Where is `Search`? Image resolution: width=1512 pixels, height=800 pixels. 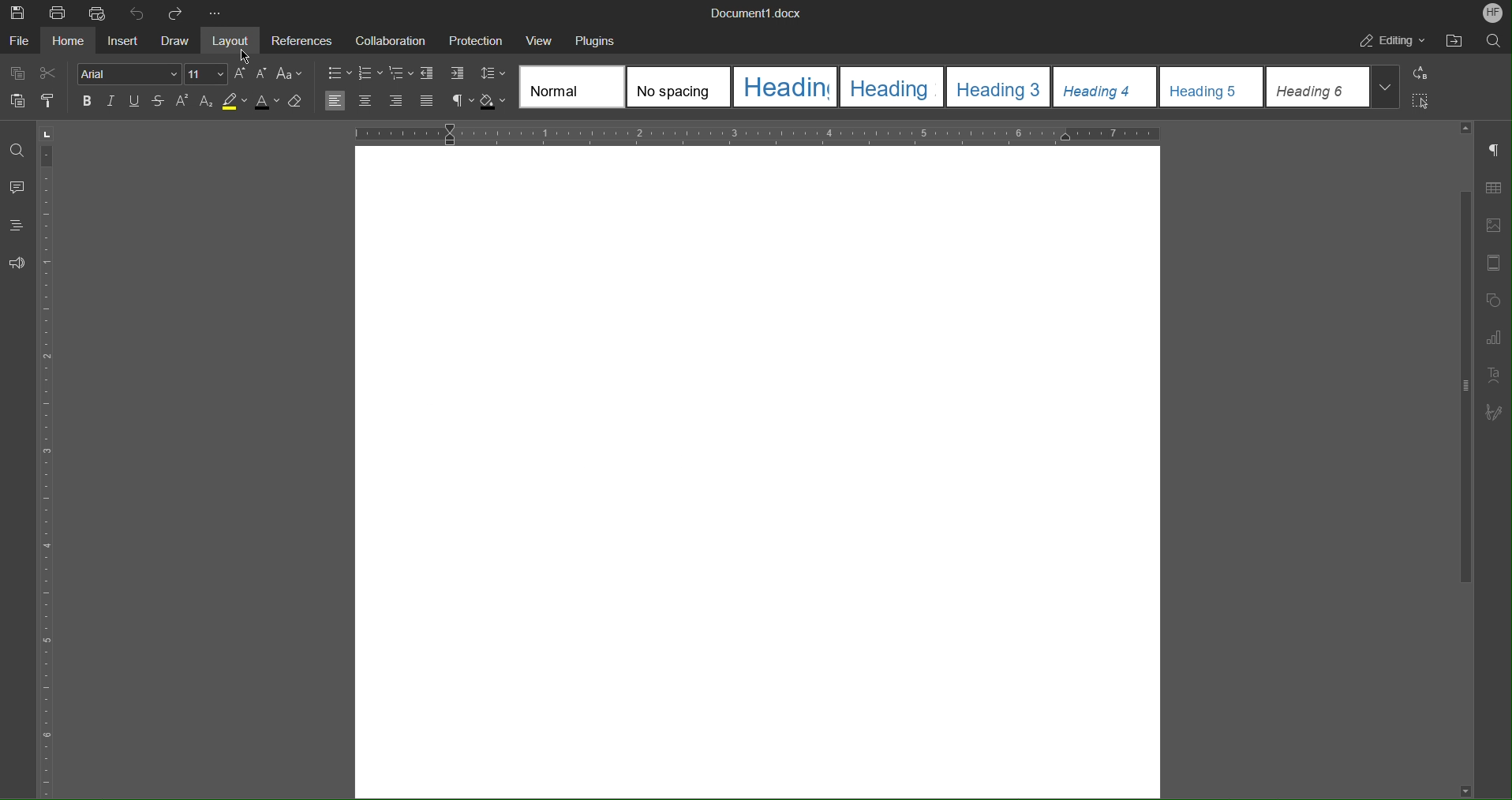
Search is located at coordinates (1493, 39).